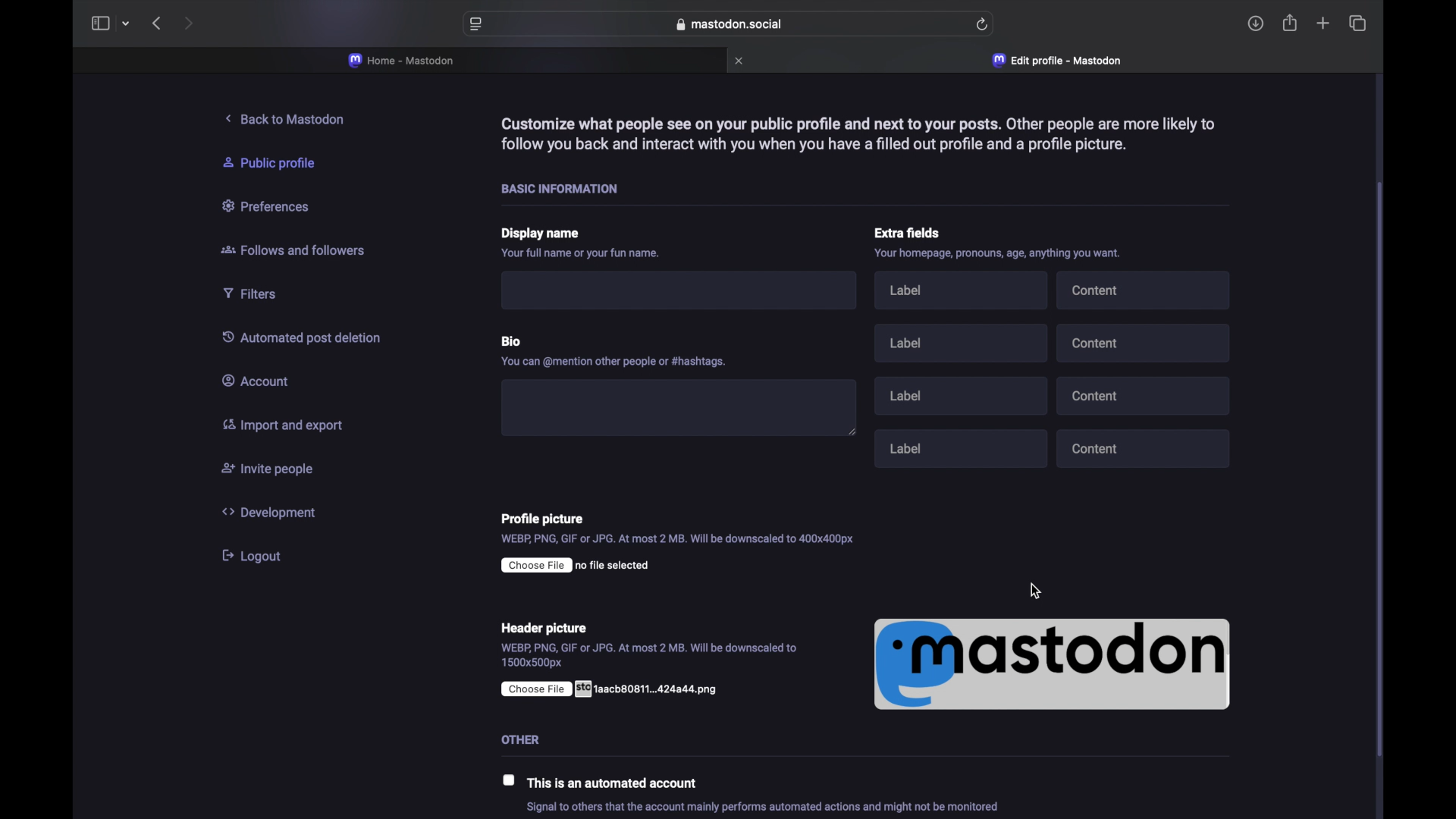 Image resolution: width=1456 pixels, height=819 pixels. What do you see at coordinates (275, 512) in the screenshot?
I see `<> Development` at bounding box center [275, 512].